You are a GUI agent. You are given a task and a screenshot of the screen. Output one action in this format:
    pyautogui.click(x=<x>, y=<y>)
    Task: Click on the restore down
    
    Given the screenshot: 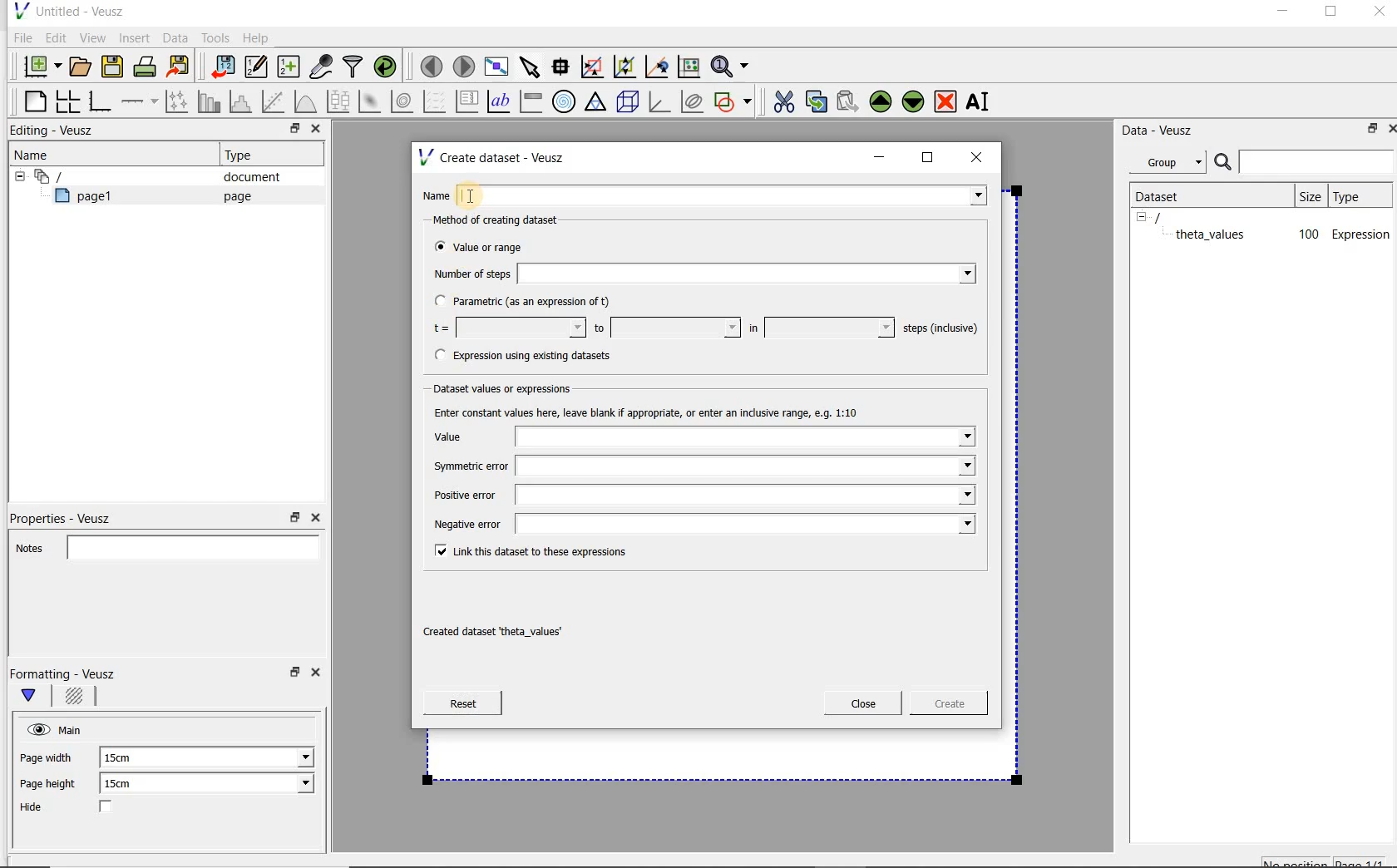 What is the action you would take?
    pyautogui.click(x=293, y=677)
    